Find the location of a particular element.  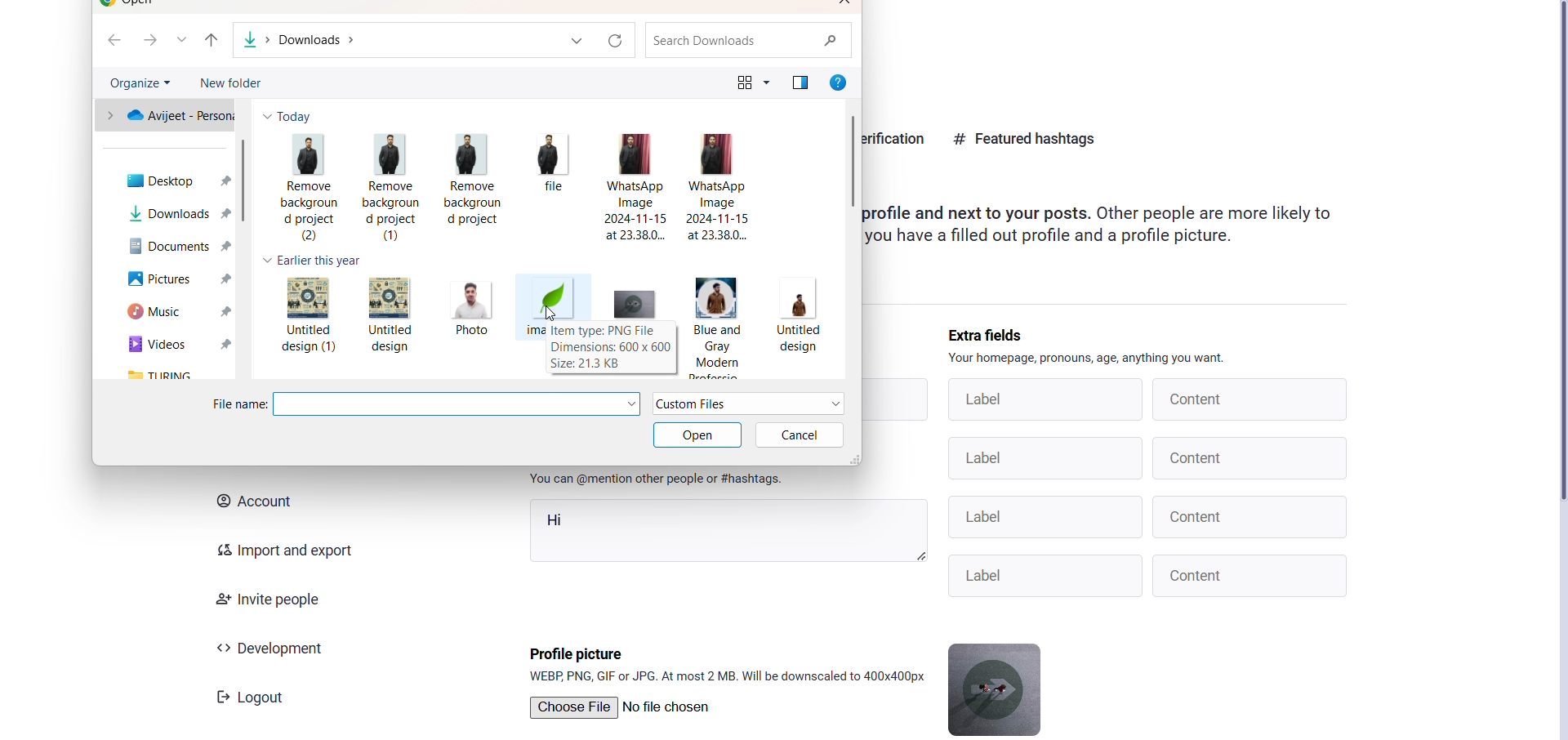

new folder is located at coordinates (237, 84).